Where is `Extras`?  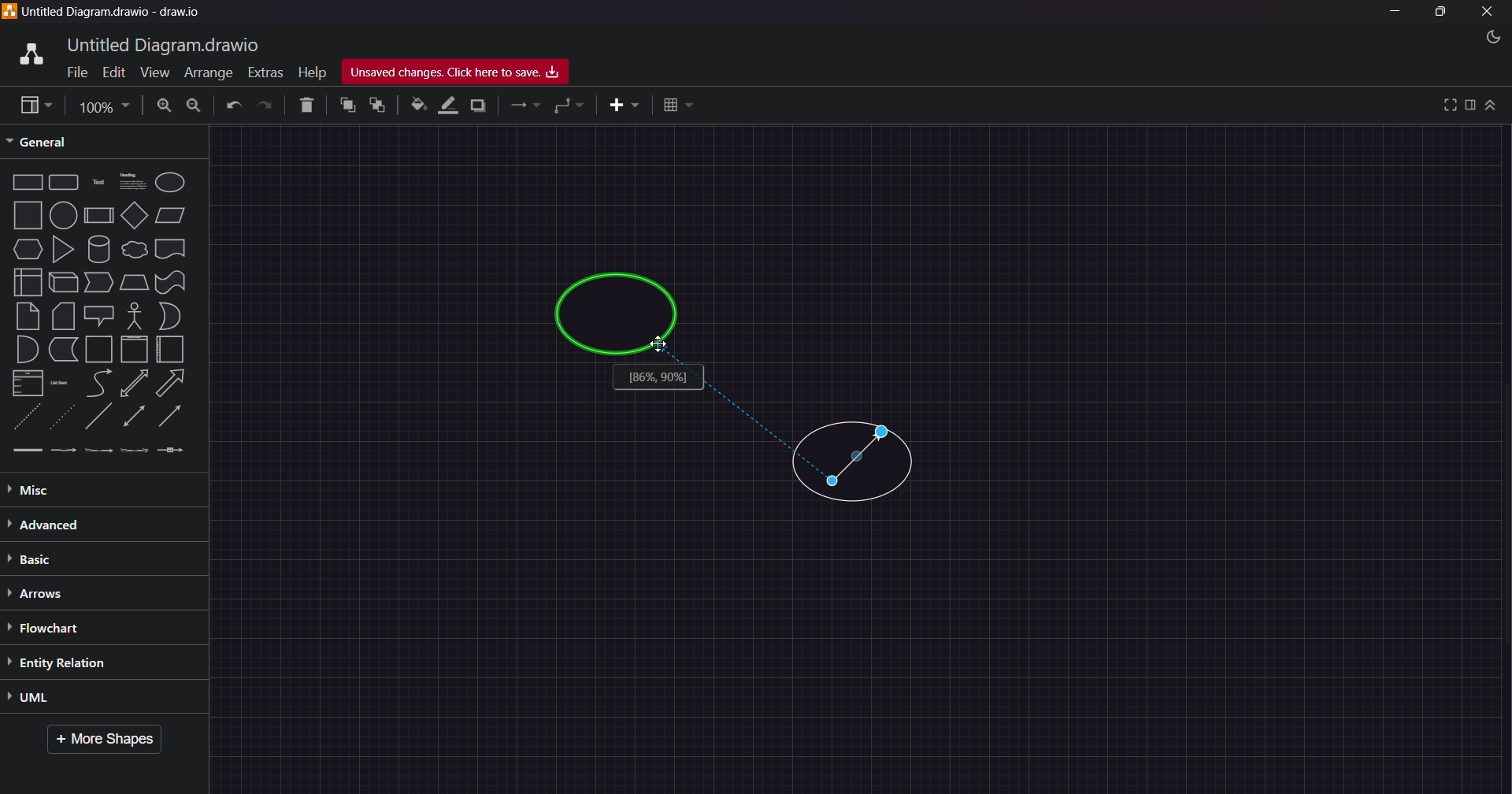
Extras is located at coordinates (265, 70).